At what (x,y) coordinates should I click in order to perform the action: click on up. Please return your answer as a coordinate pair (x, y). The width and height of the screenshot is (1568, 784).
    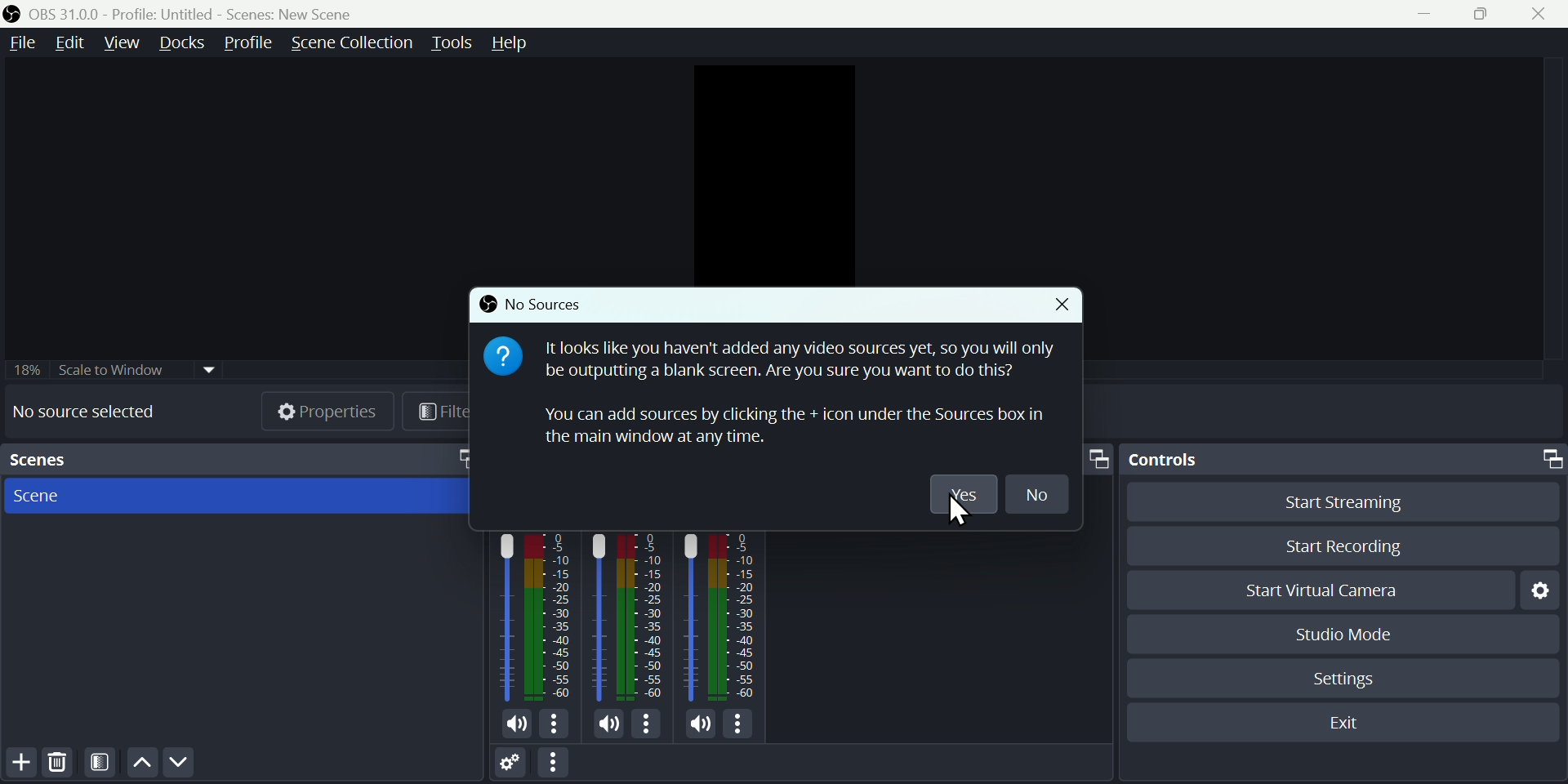
    Looking at the image, I should click on (140, 763).